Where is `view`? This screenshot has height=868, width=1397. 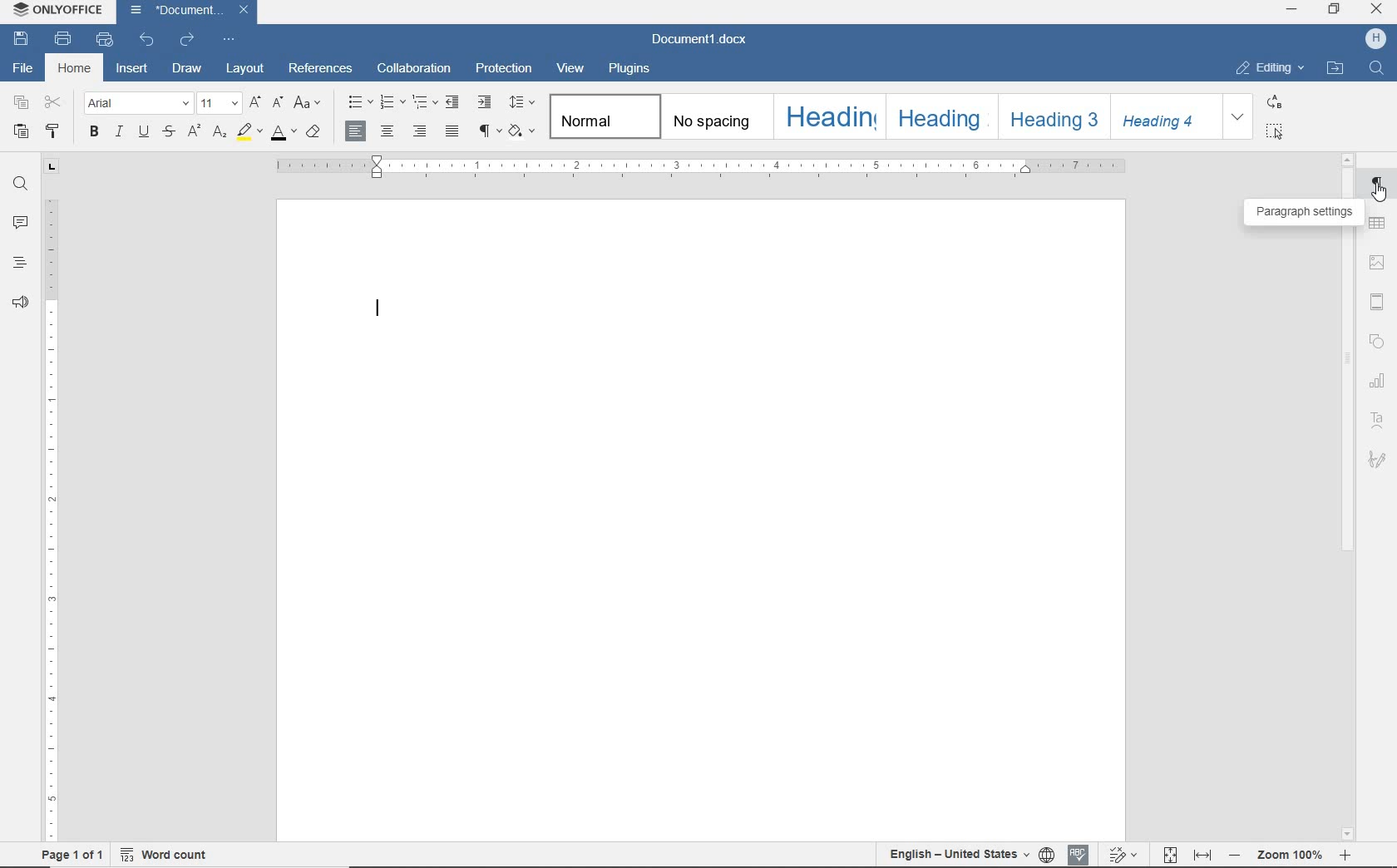
view is located at coordinates (570, 68).